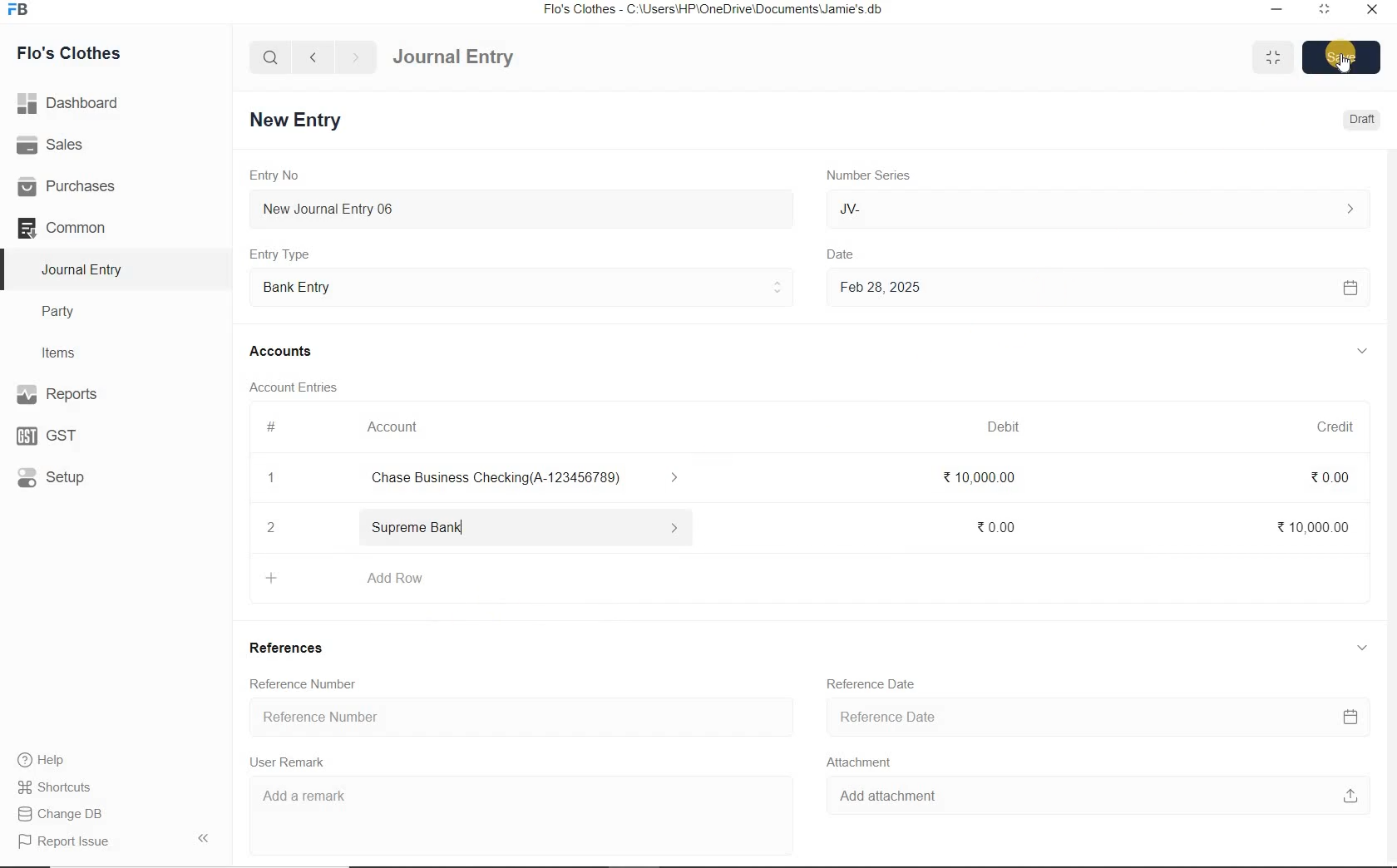 The height and width of the screenshot is (868, 1397). I want to click on Journal Entry, so click(483, 55).